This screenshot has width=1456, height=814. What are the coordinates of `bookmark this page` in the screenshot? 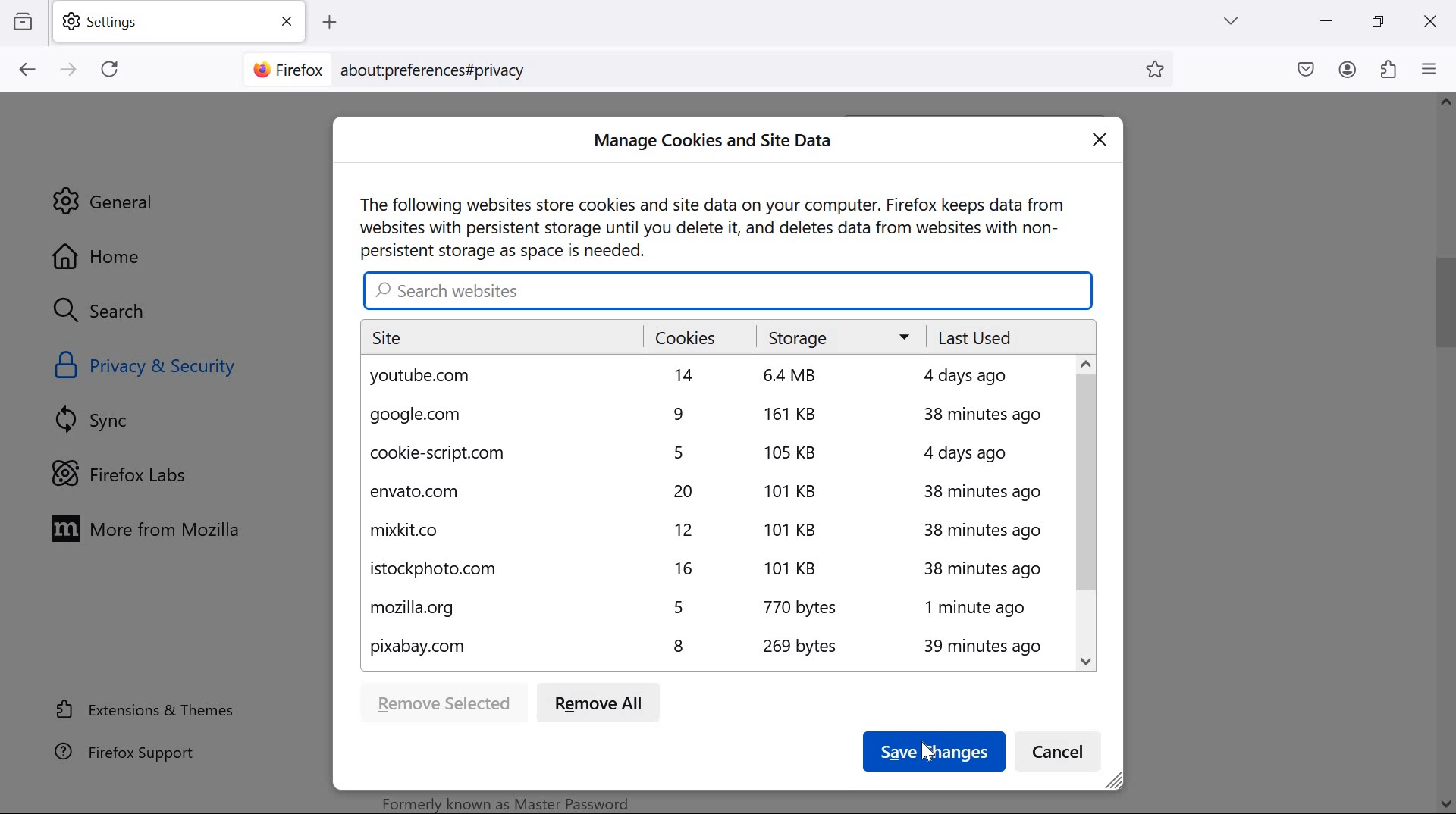 It's located at (1160, 70).